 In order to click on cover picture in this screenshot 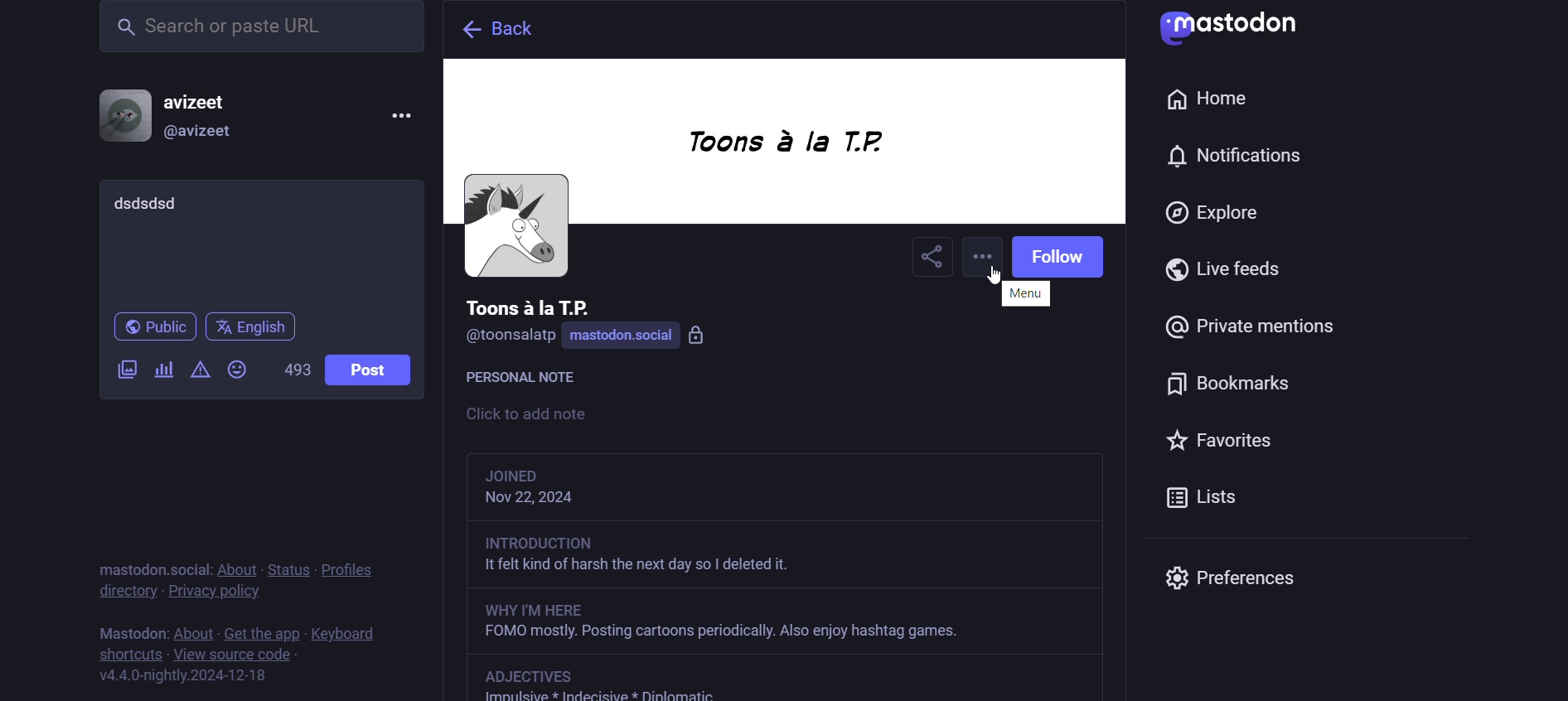, I will do `click(784, 145)`.